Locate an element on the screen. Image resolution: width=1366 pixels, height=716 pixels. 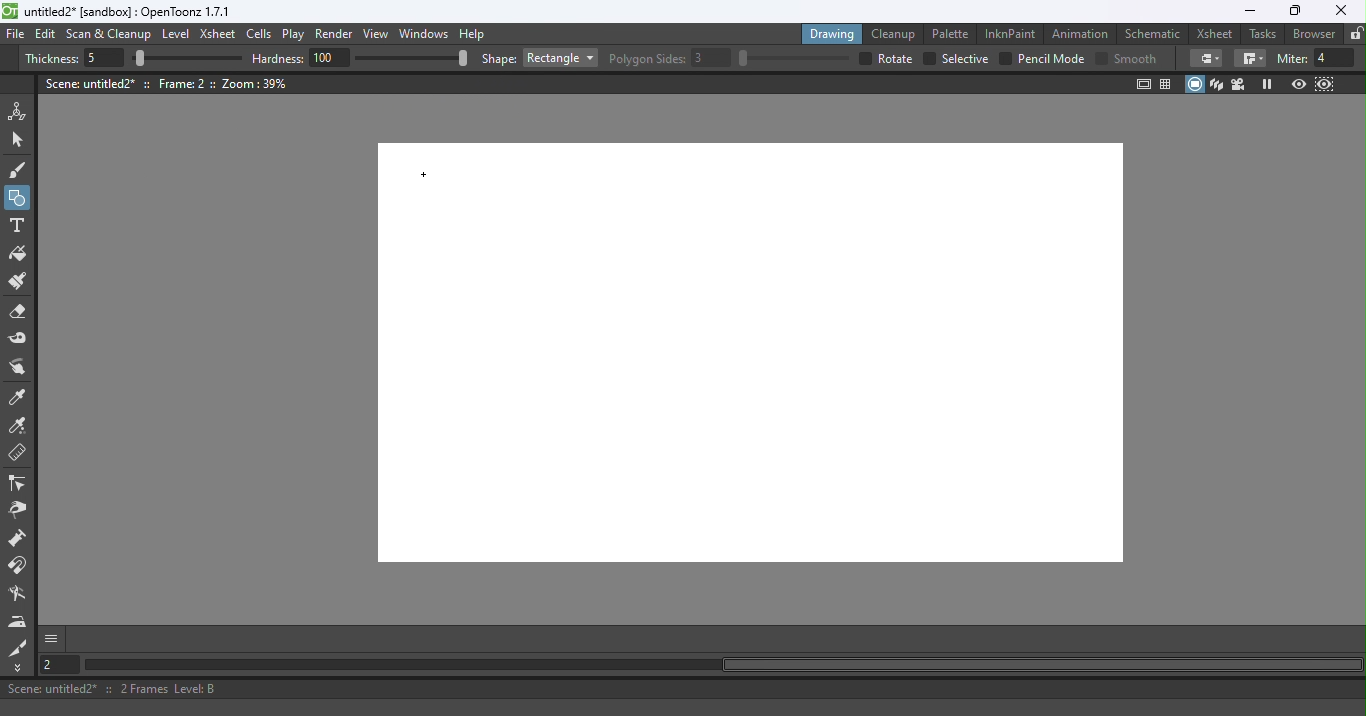
Edit is located at coordinates (48, 34).